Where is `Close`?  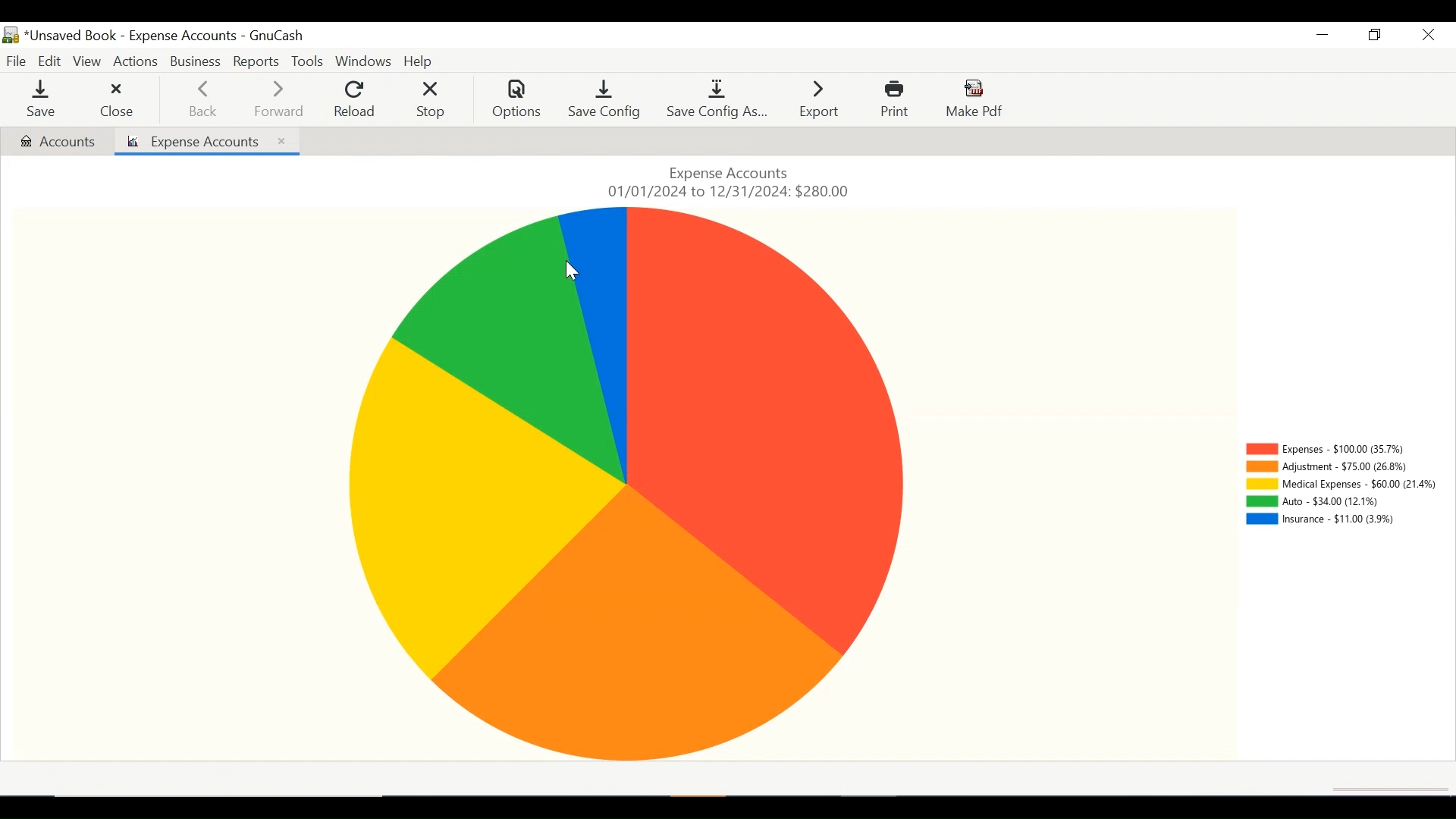
Close is located at coordinates (107, 99).